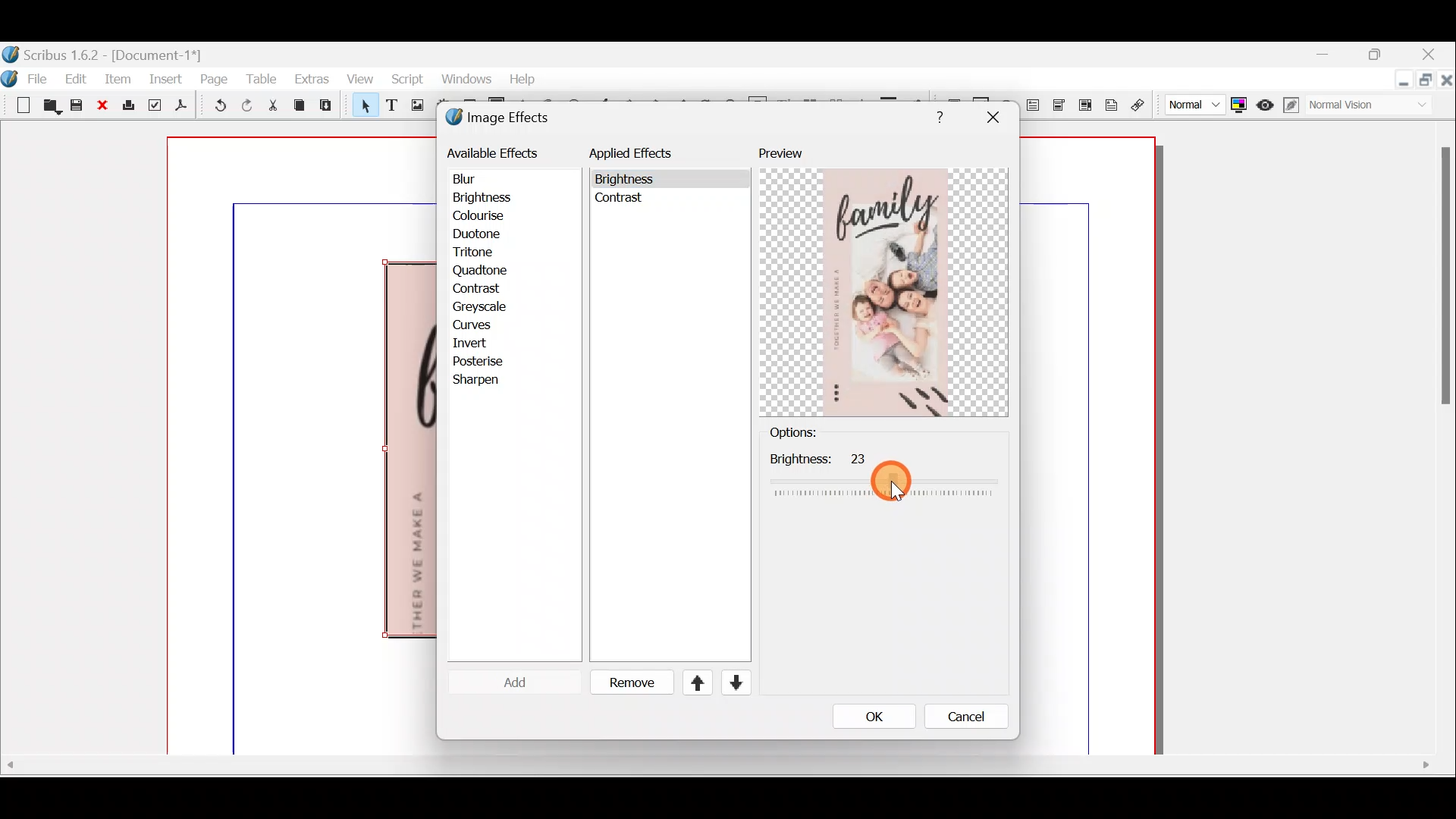  What do you see at coordinates (104, 53) in the screenshot?
I see `Document name` at bounding box center [104, 53].